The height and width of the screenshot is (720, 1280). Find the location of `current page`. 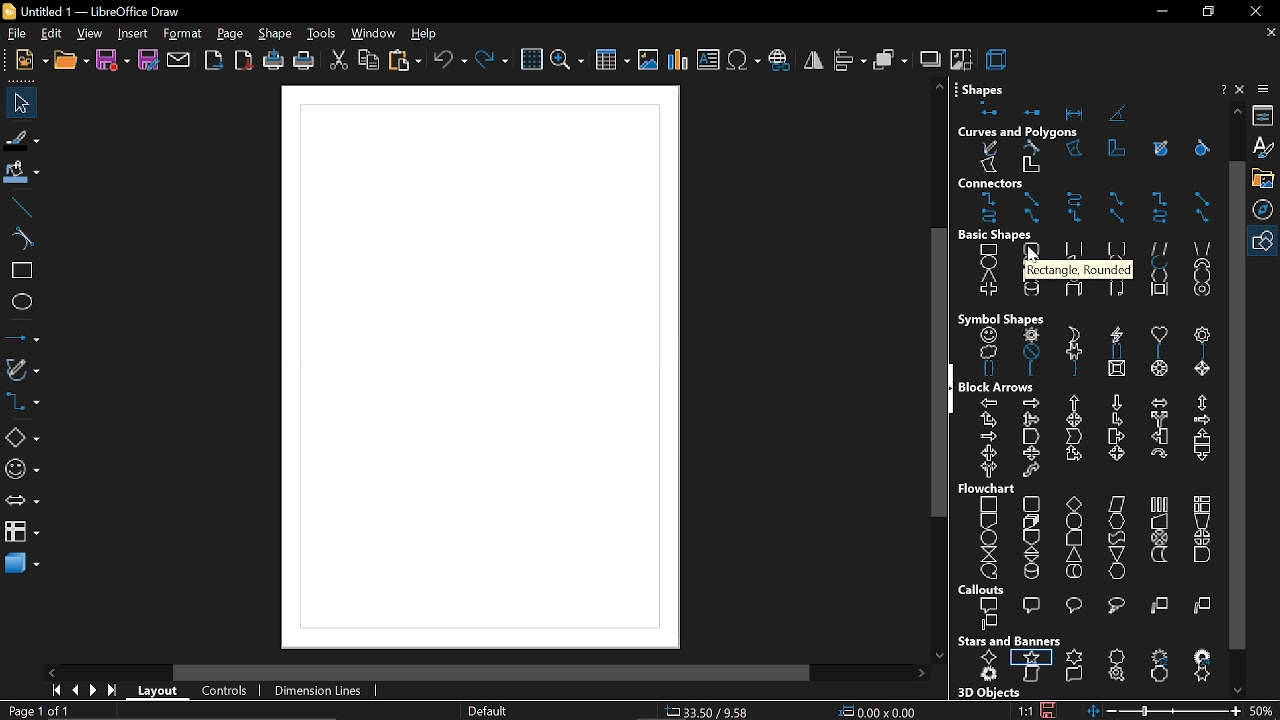

current page is located at coordinates (38, 711).